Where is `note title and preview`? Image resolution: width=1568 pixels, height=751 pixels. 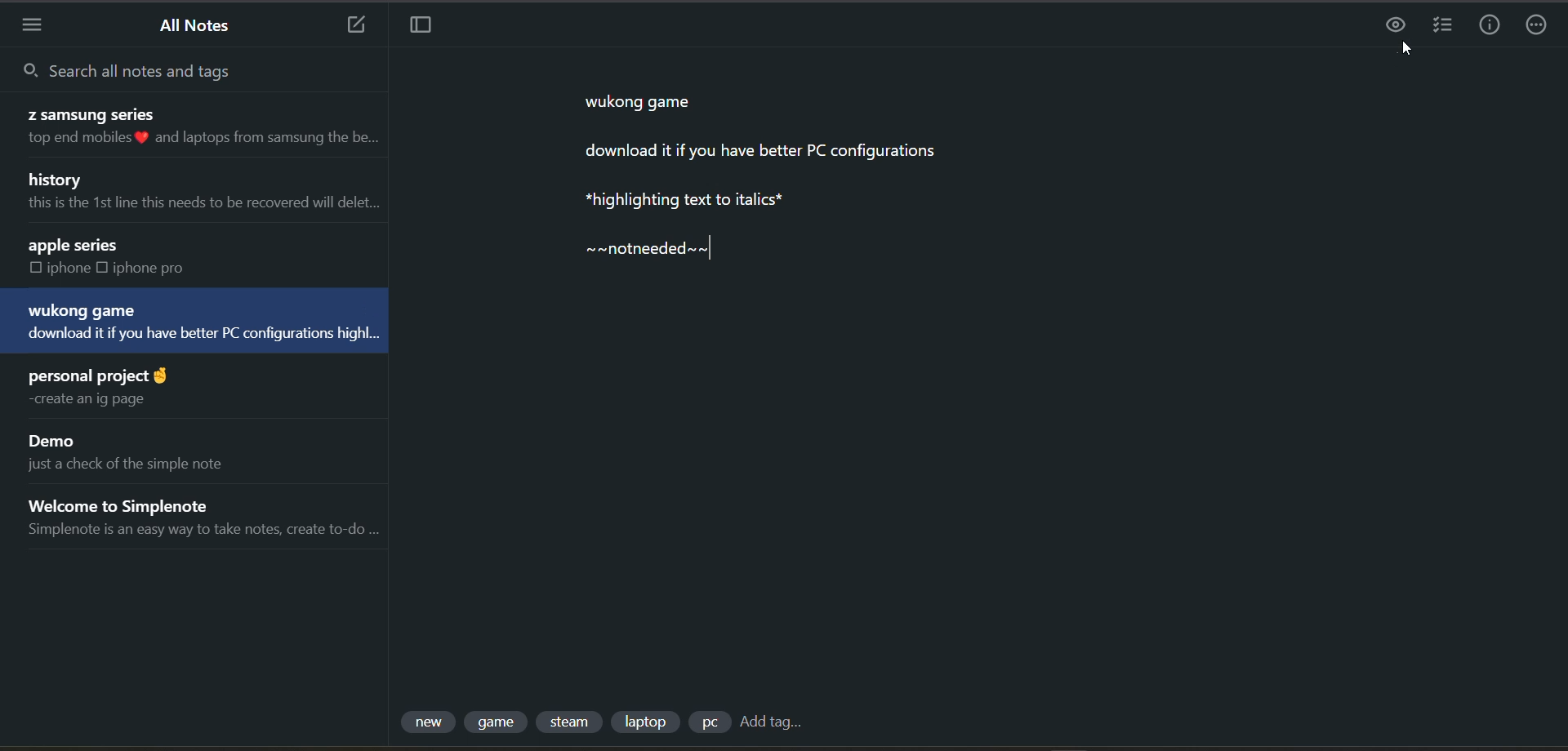
note title and preview is located at coordinates (194, 127).